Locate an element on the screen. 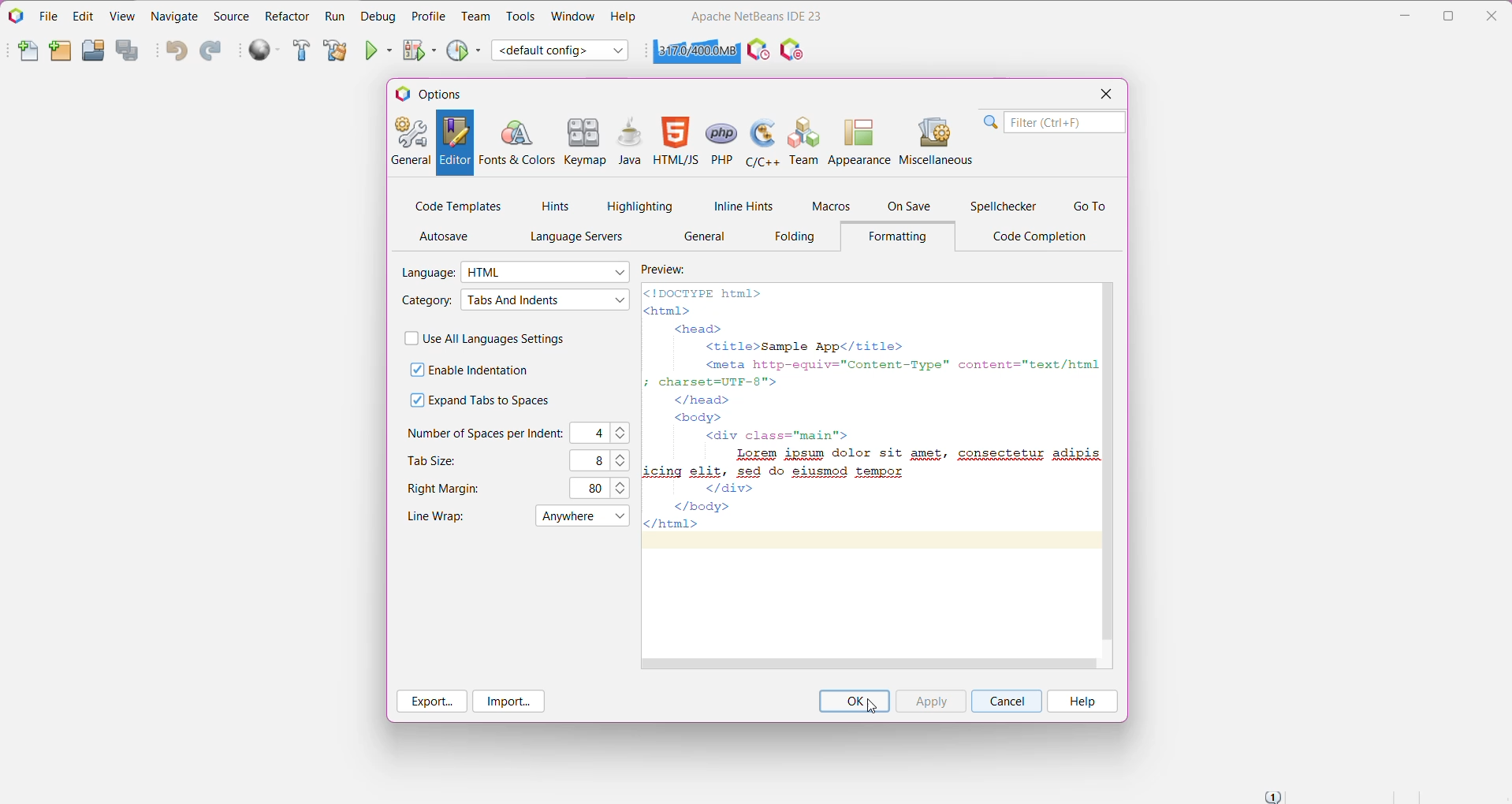 This screenshot has height=804, width=1512. Help is located at coordinates (1082, 702).